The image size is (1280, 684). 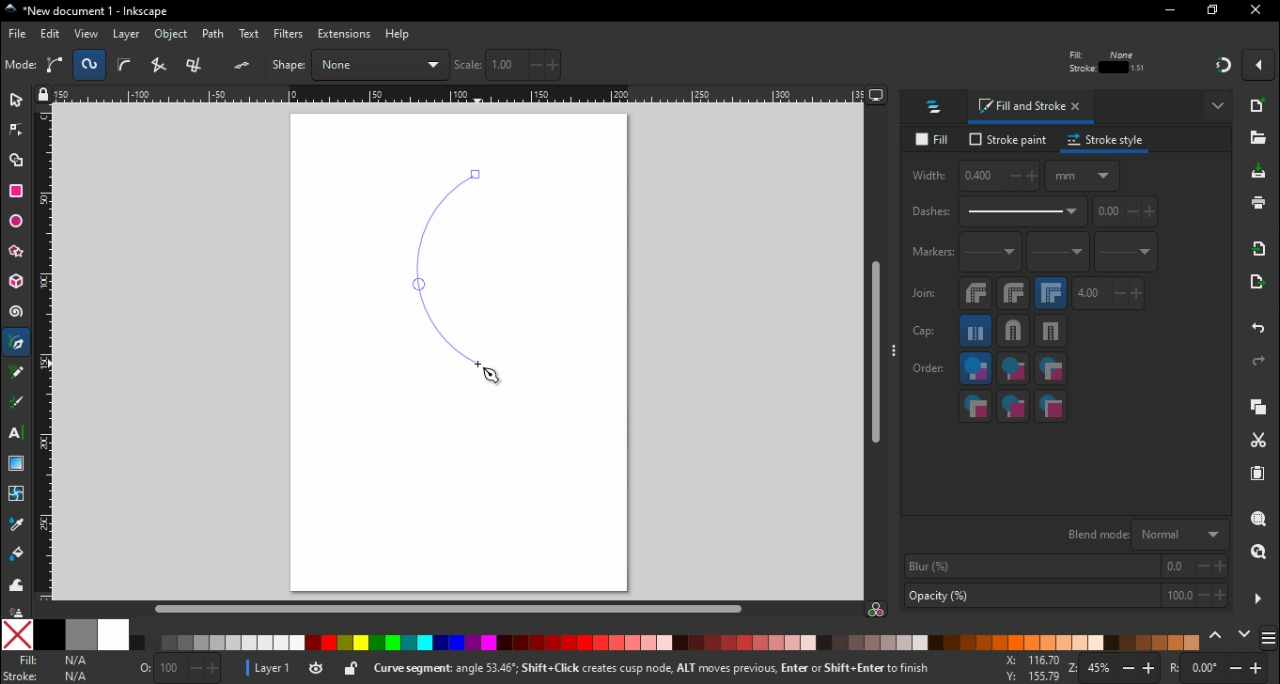 I want to click on spiral tool, so click(x=17, y=315).